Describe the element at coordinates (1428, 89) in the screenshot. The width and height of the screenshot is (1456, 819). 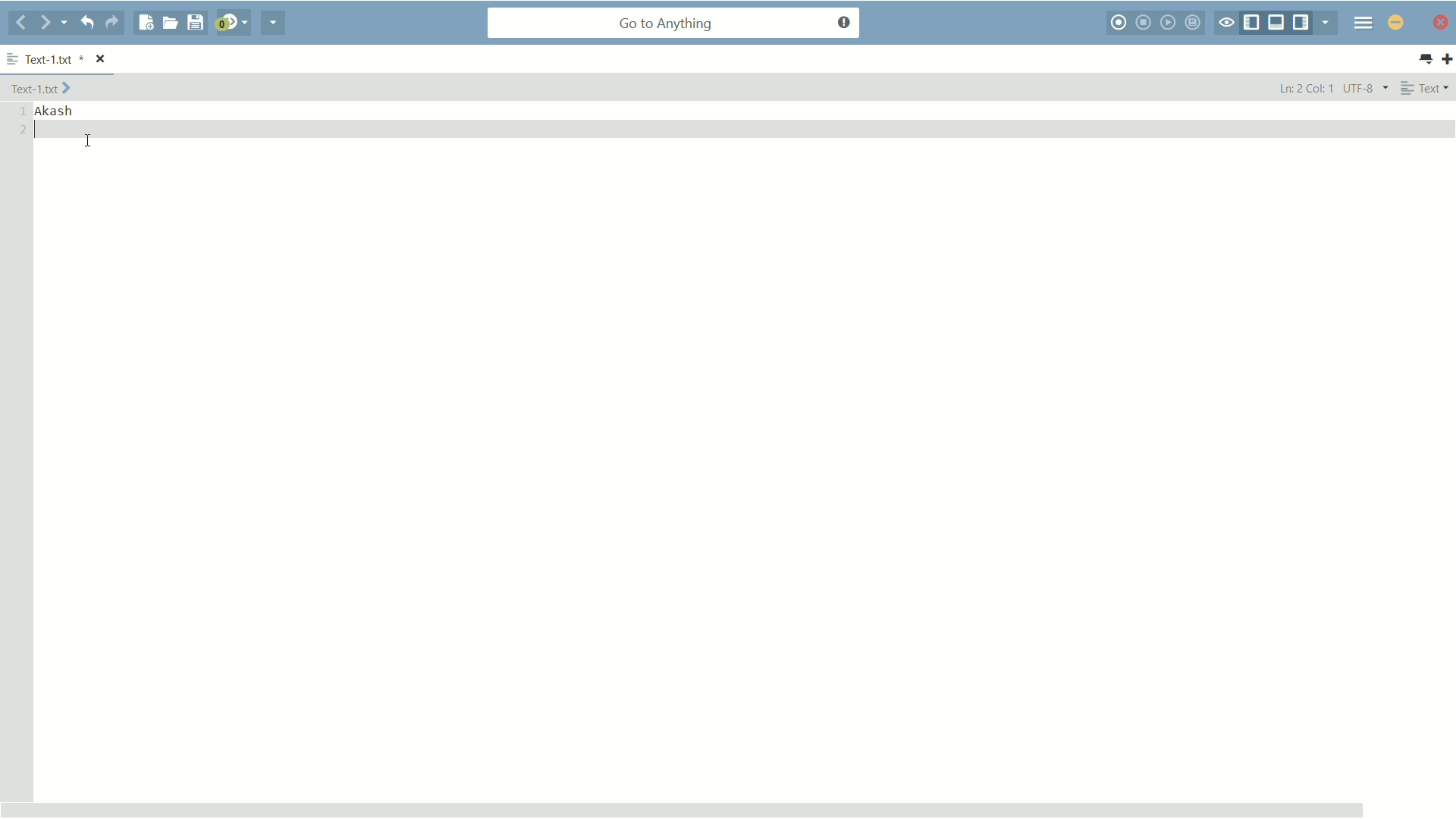
I see `file type` at that location.